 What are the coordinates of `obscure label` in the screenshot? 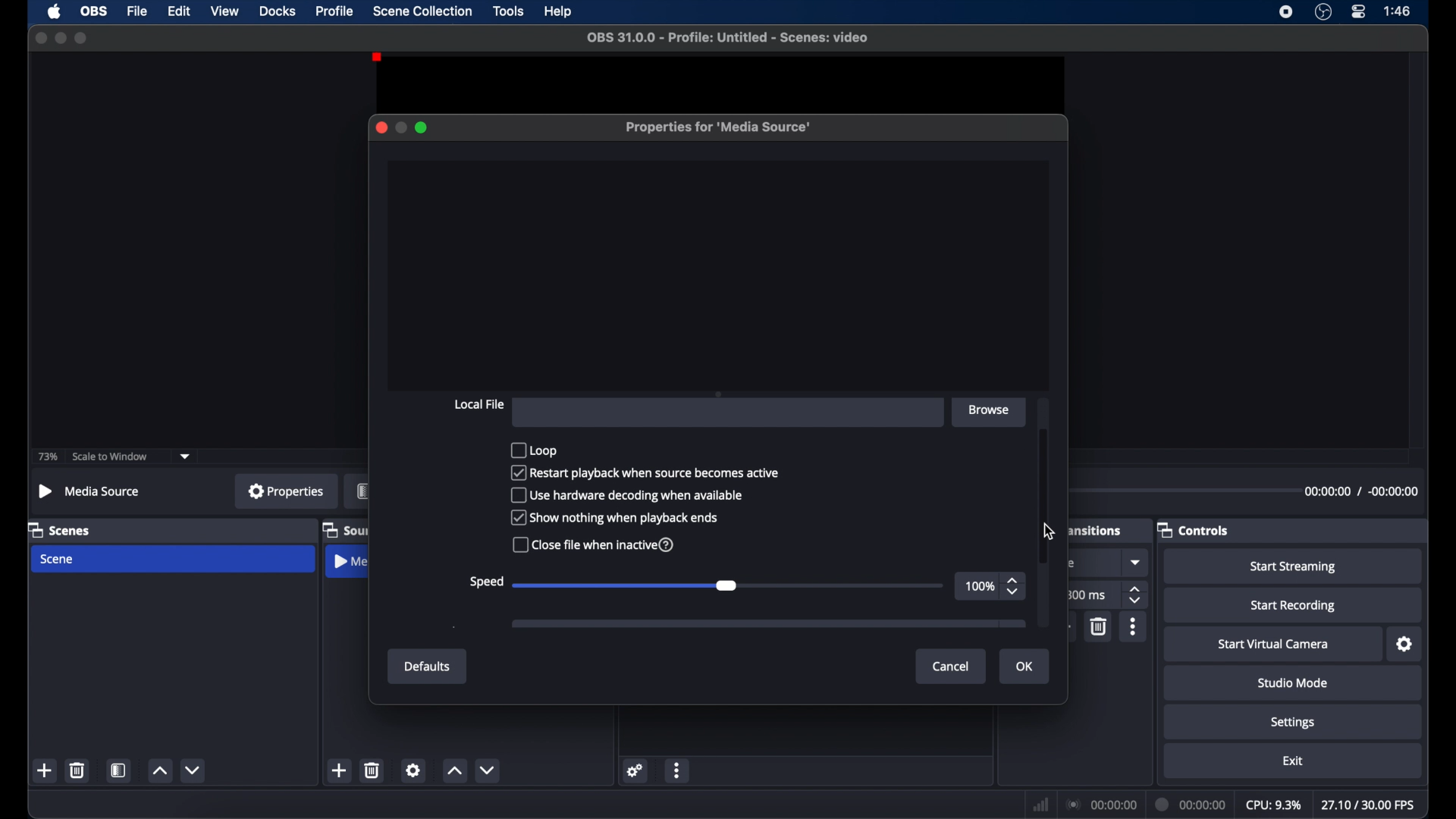 It's located at (347, 561).